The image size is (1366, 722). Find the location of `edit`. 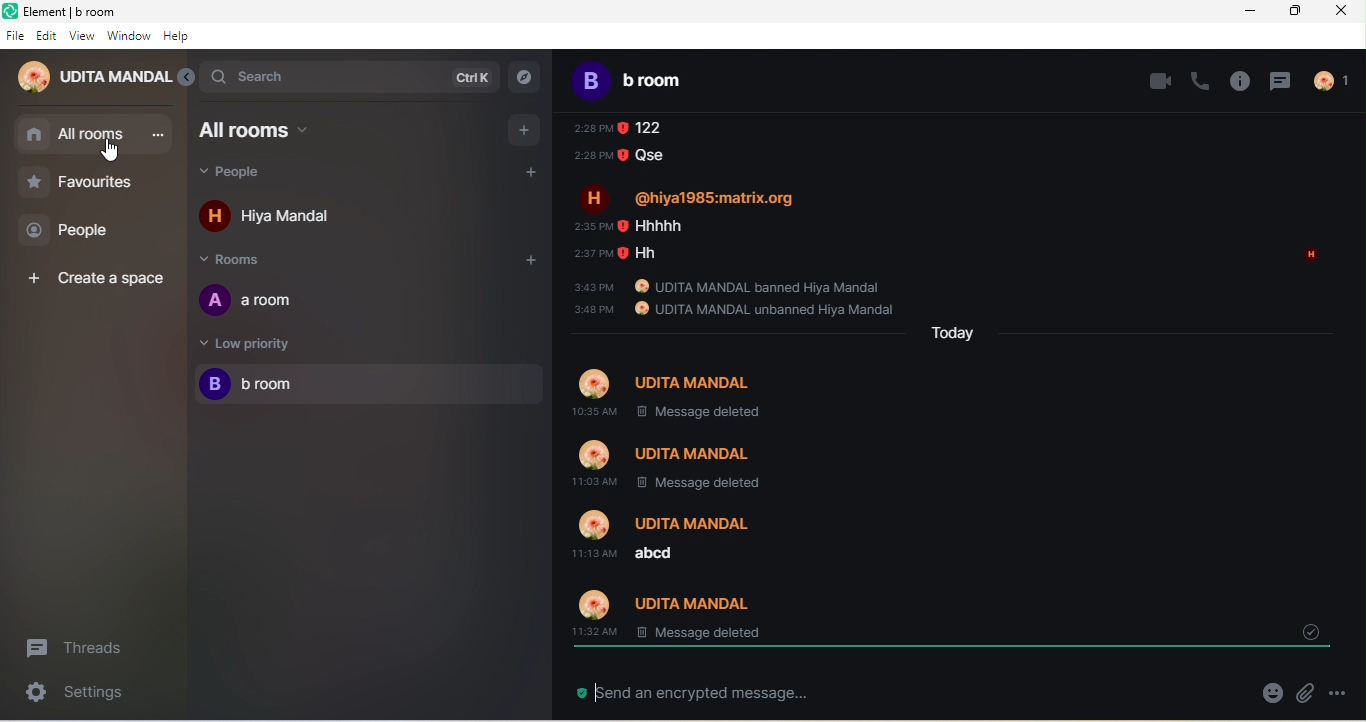

edit is located at coordinates (48, 36).